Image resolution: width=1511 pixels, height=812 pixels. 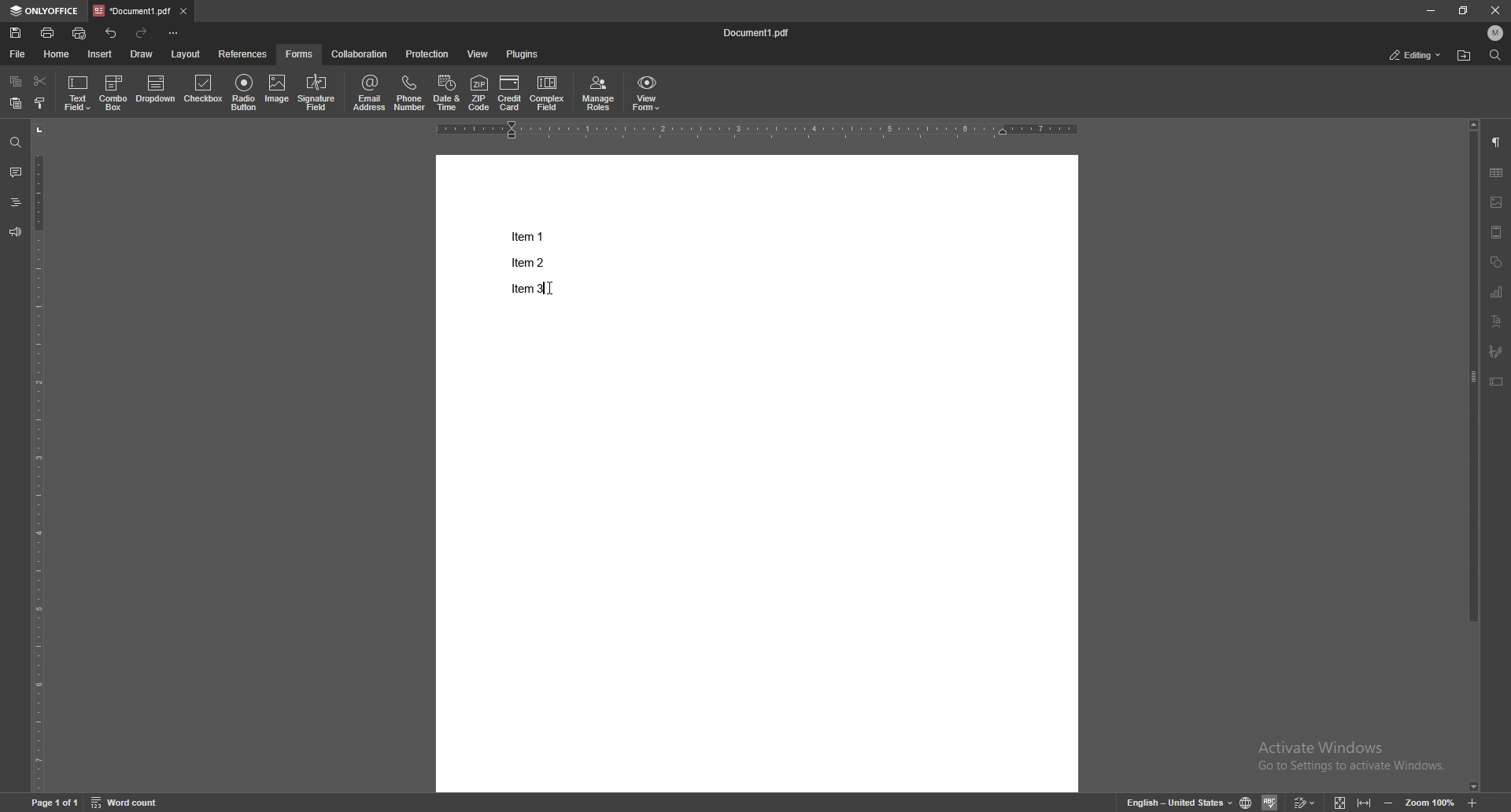 I want to click on radio button, so click(x=246, y=93).